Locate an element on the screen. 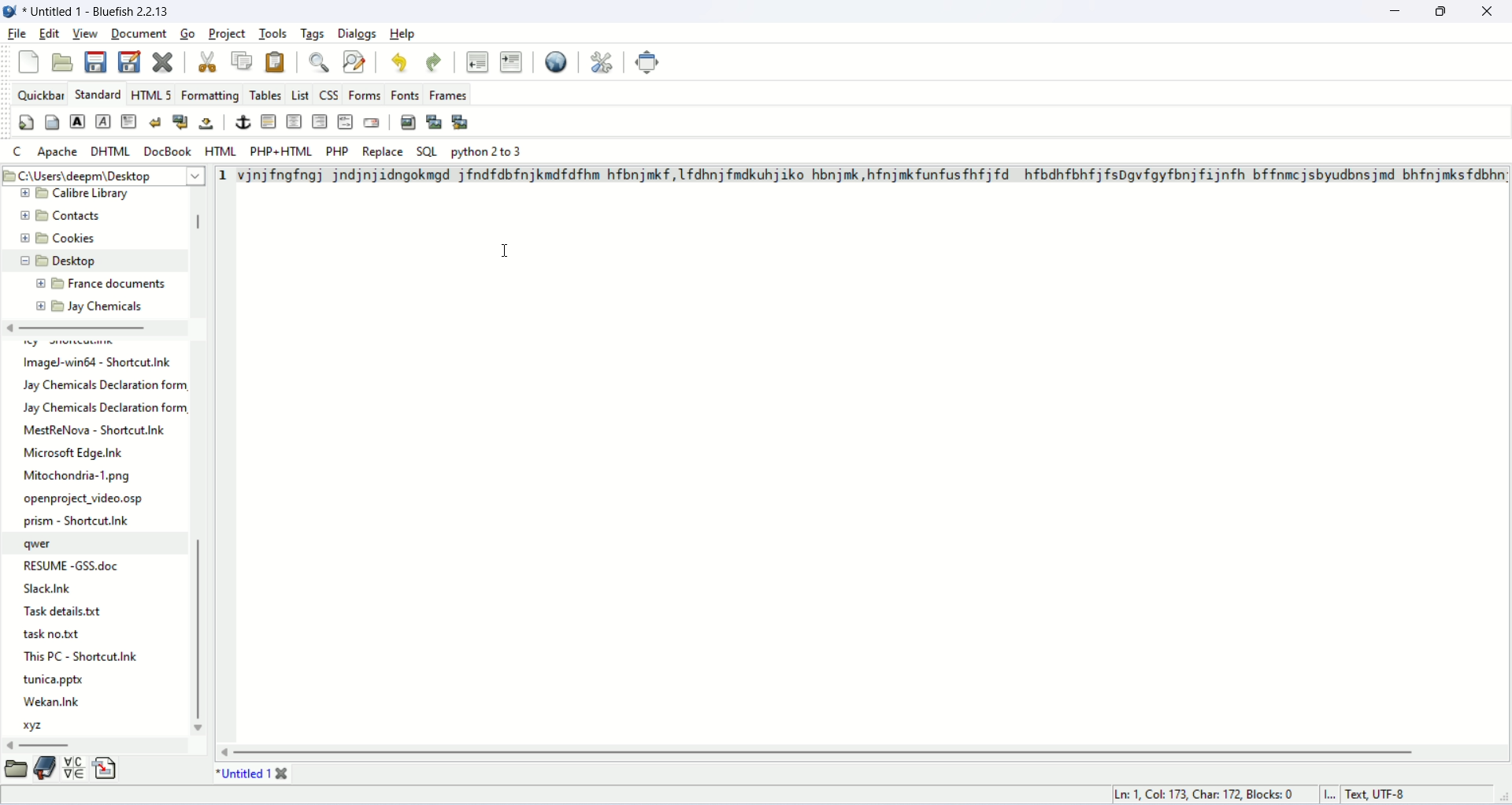  standard is located at coordinates (94, 94).